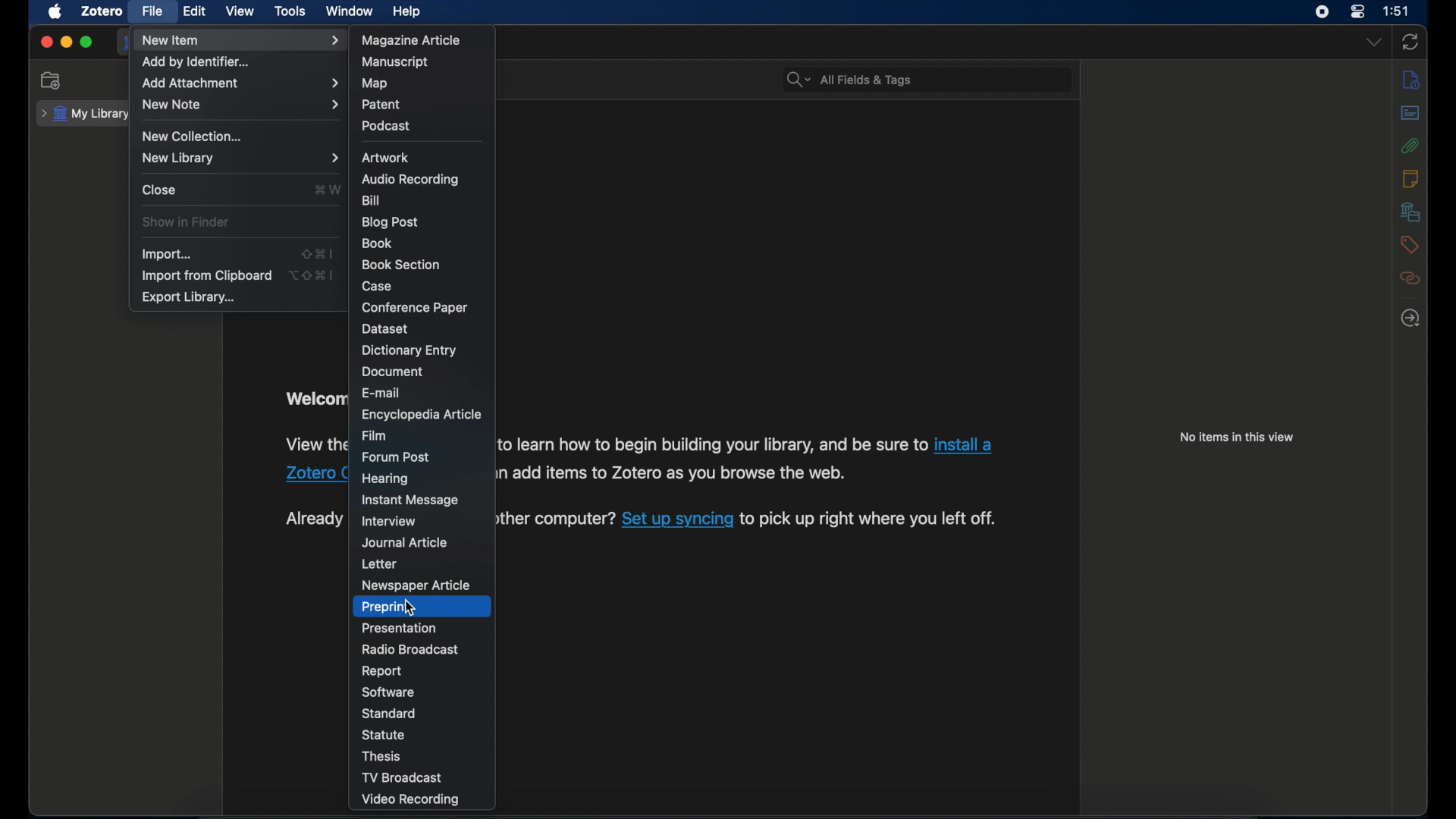  What do you see at coordinates (375, 84) in the screenshot?
I see `map` at bounding box center [375, 84].